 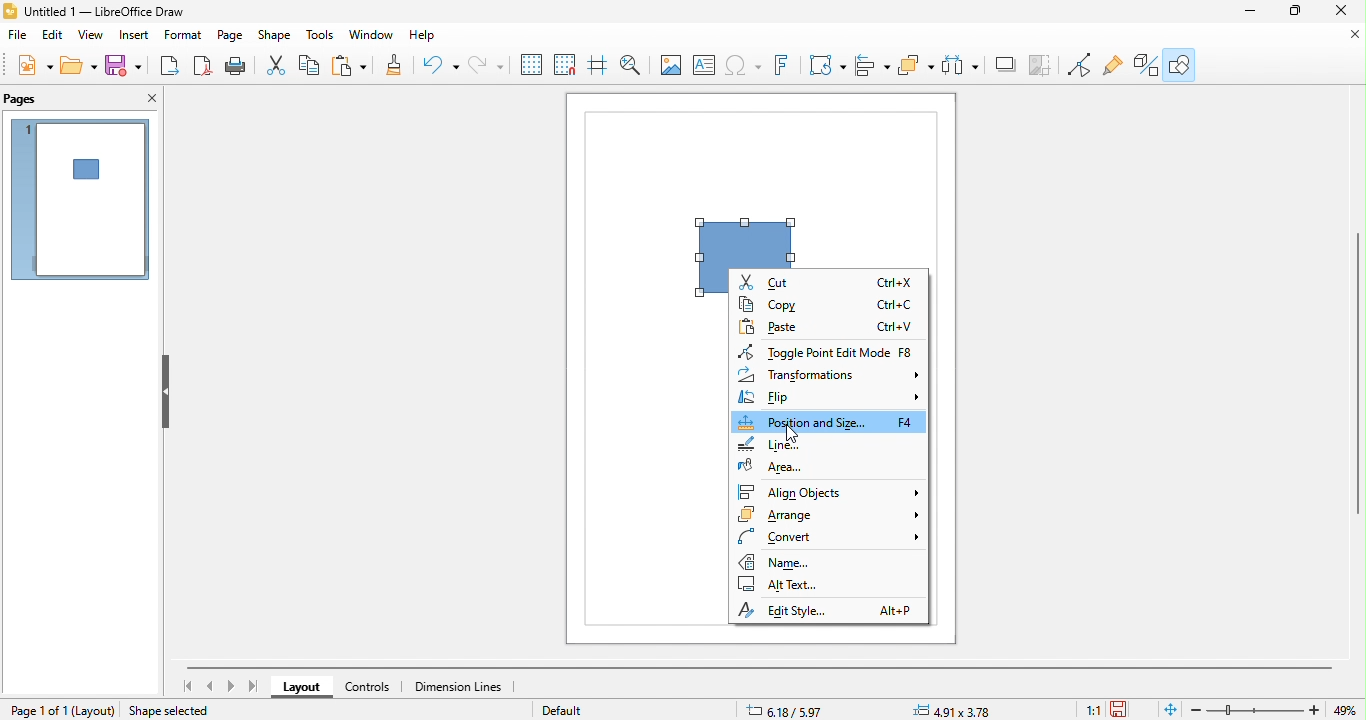 I want to click on name, so click(x=792, y=562).